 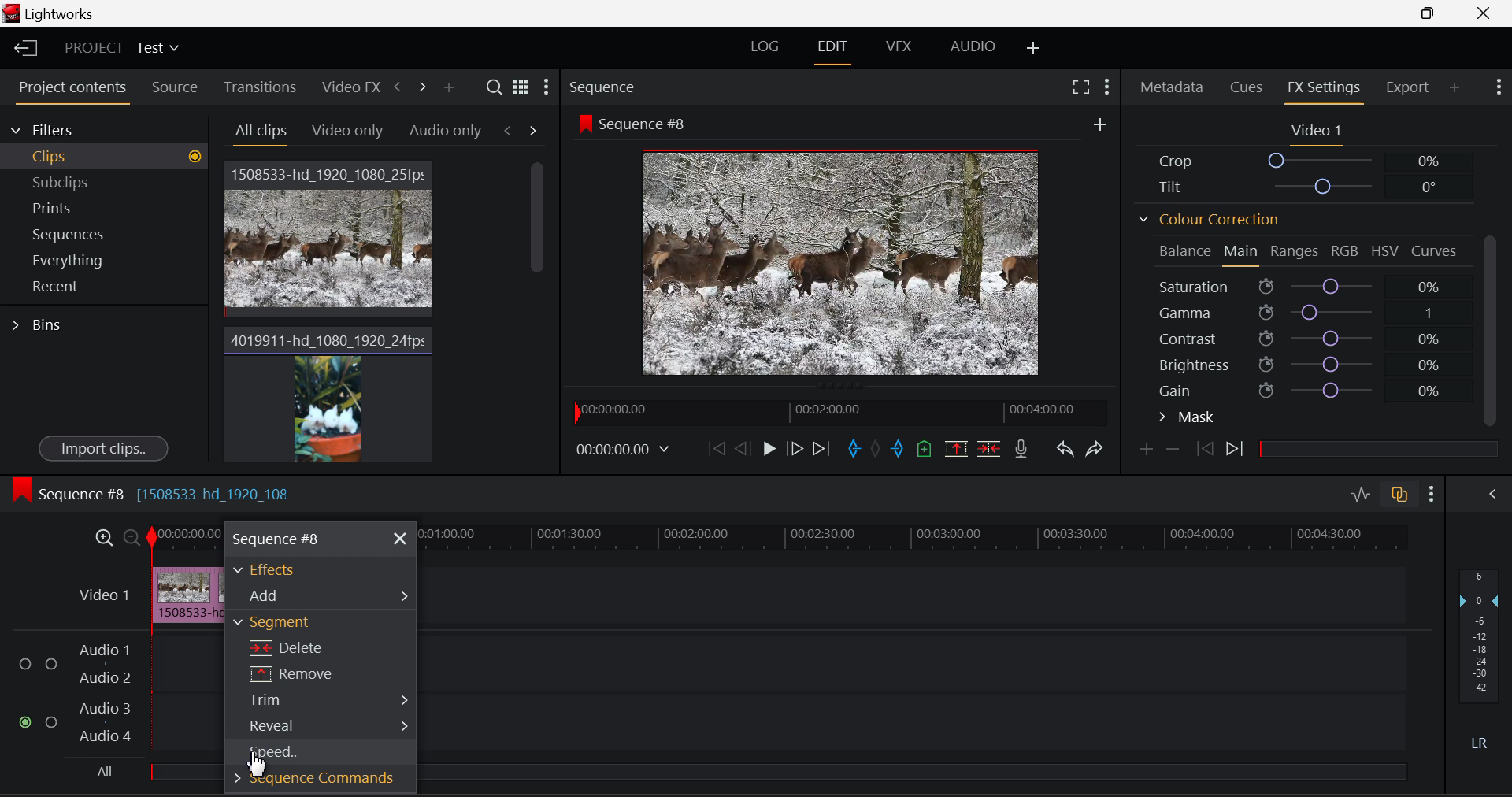 I want to click on Mask, so click(x=1187, y=417).